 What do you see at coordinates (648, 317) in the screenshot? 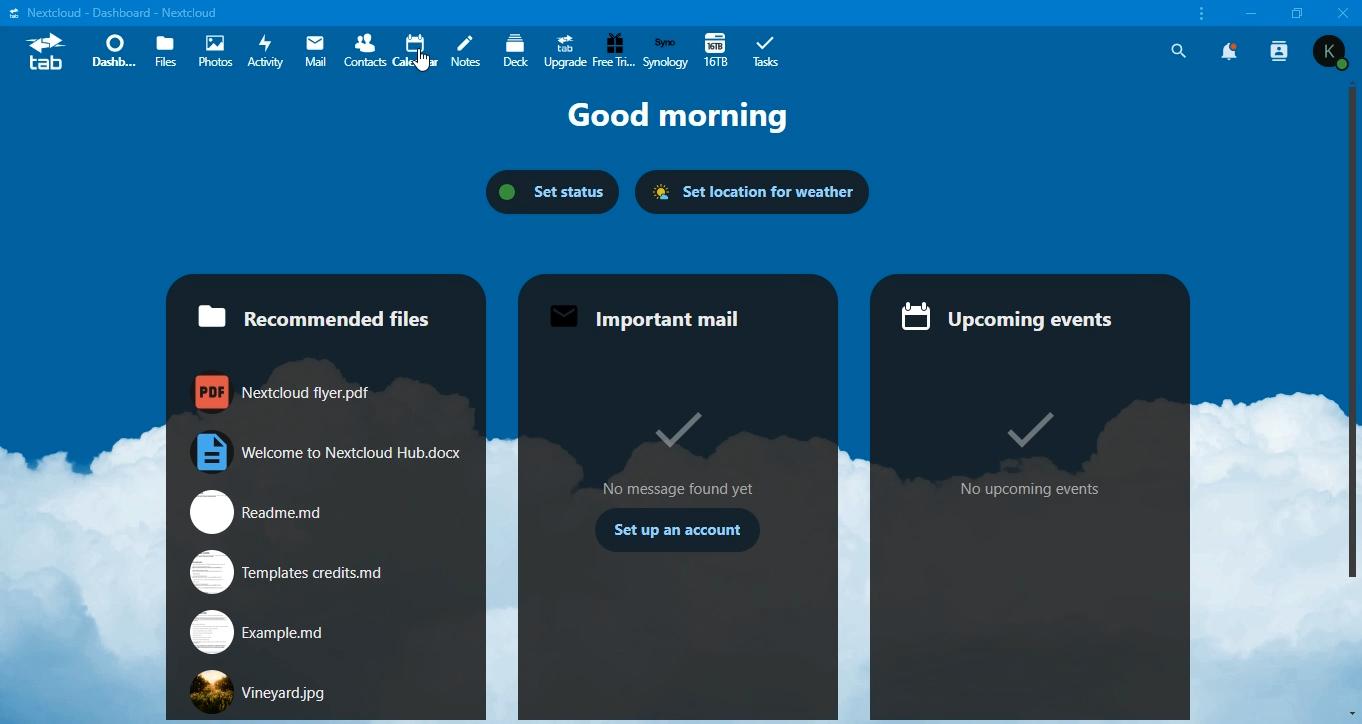
I see `Important mail` at bounding box center [648, 317].